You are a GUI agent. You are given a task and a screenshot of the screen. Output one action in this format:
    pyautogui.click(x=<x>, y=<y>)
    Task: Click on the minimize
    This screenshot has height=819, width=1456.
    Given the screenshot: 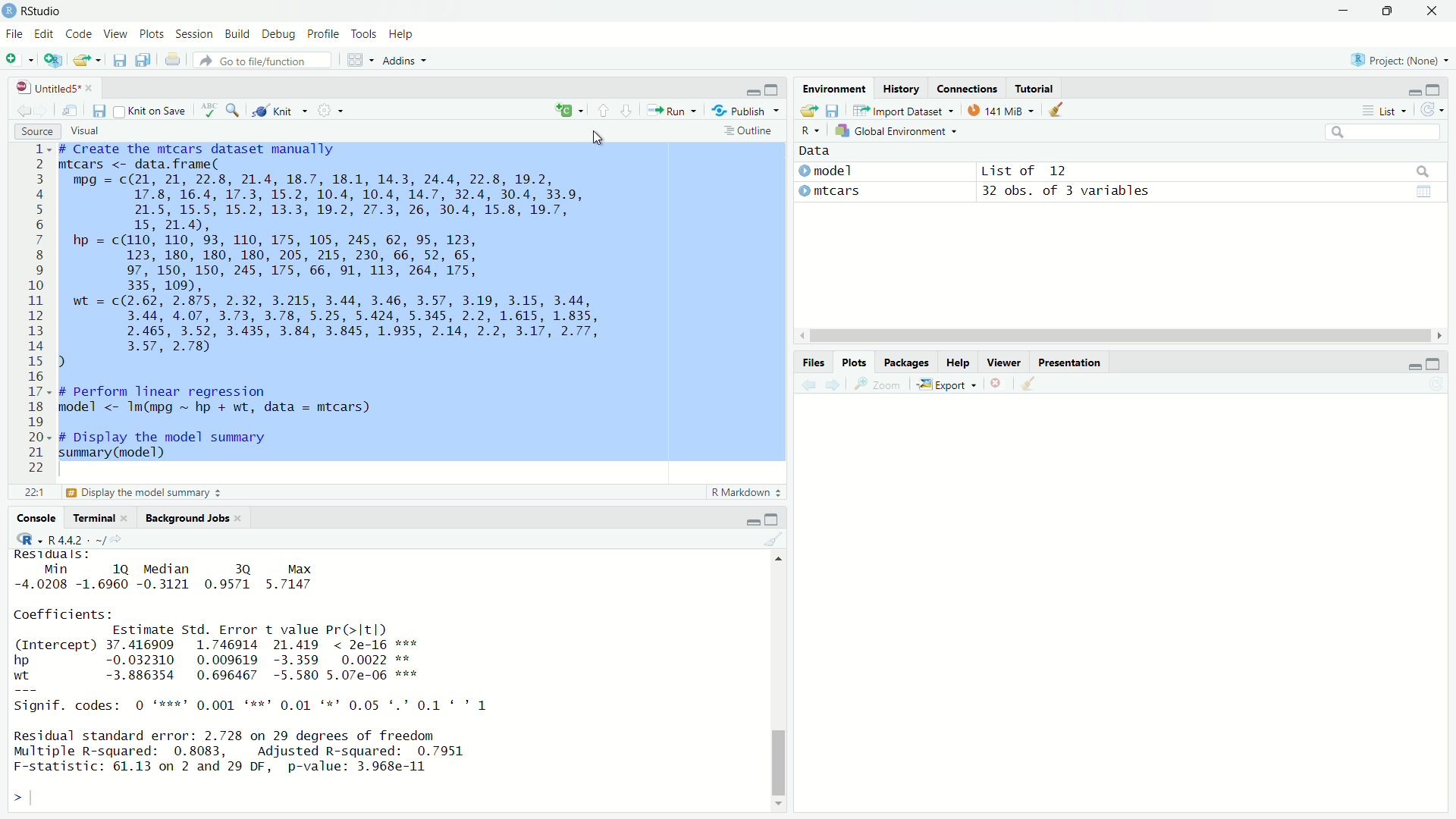 What is the action you would take?
    pyautogui.click(x=1413, y=93)
    